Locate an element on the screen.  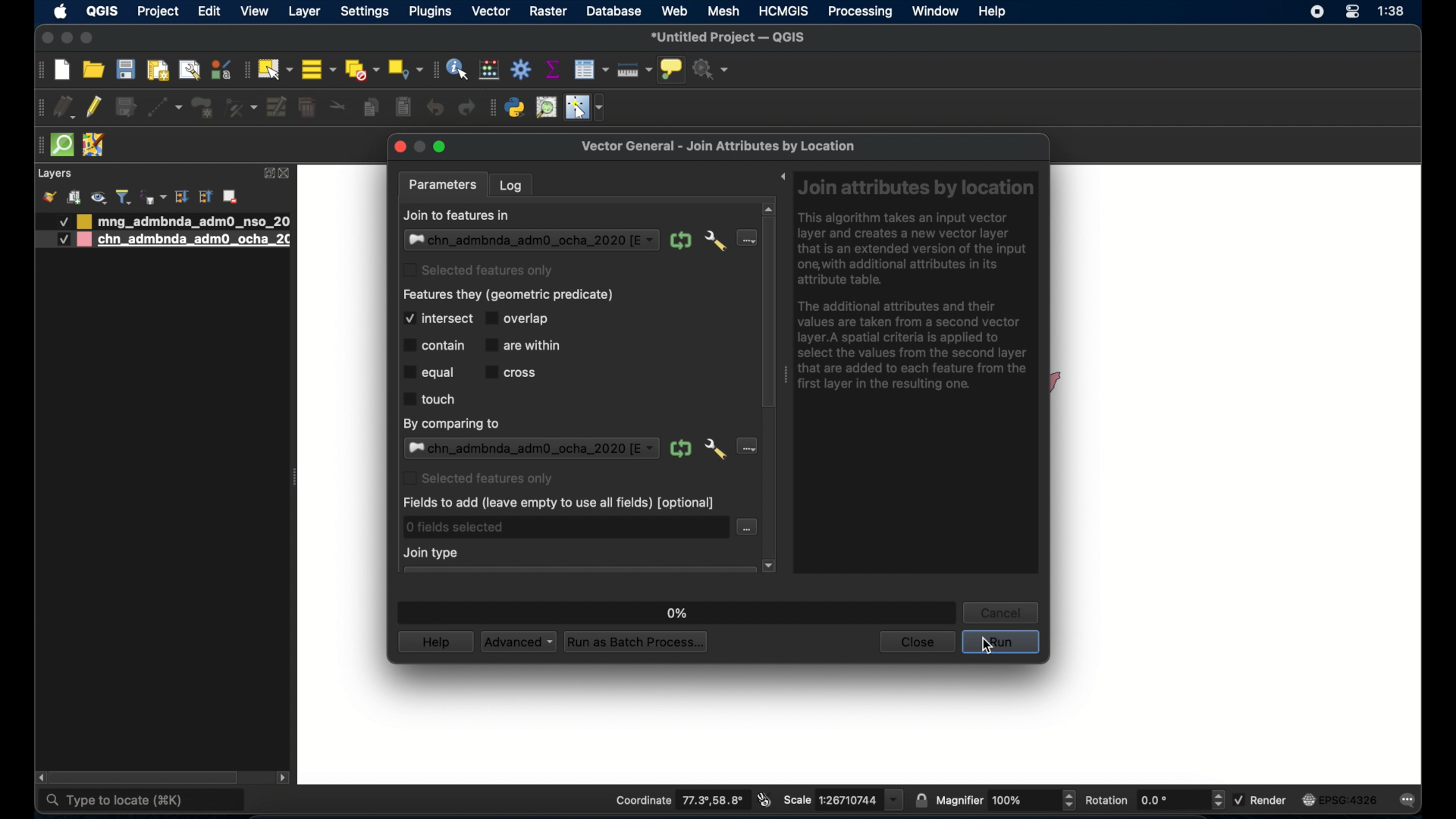
type to locate is located at coordinates (143, 802).